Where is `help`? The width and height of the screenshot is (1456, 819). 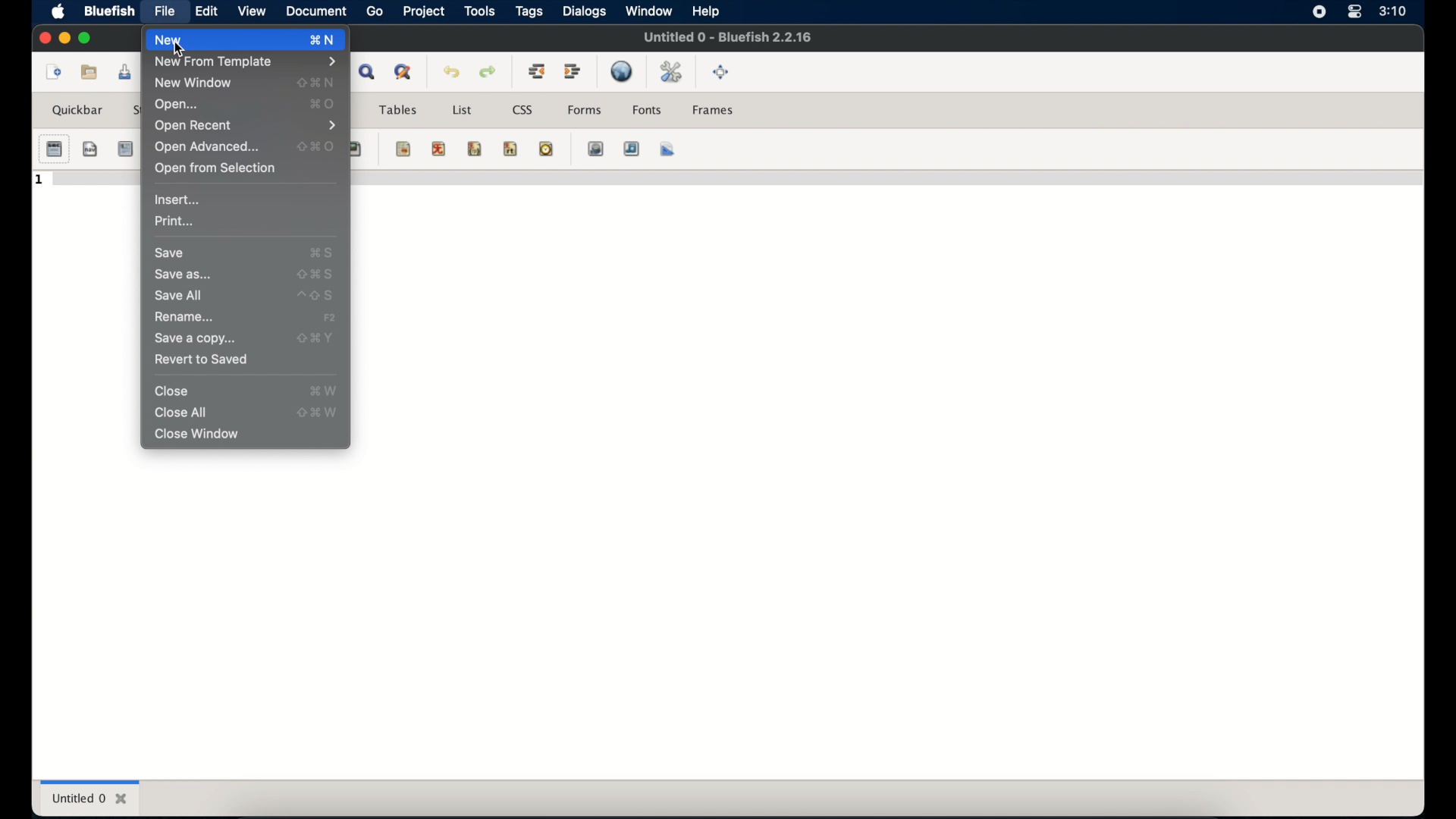 help is located at coordinates (706, 12).